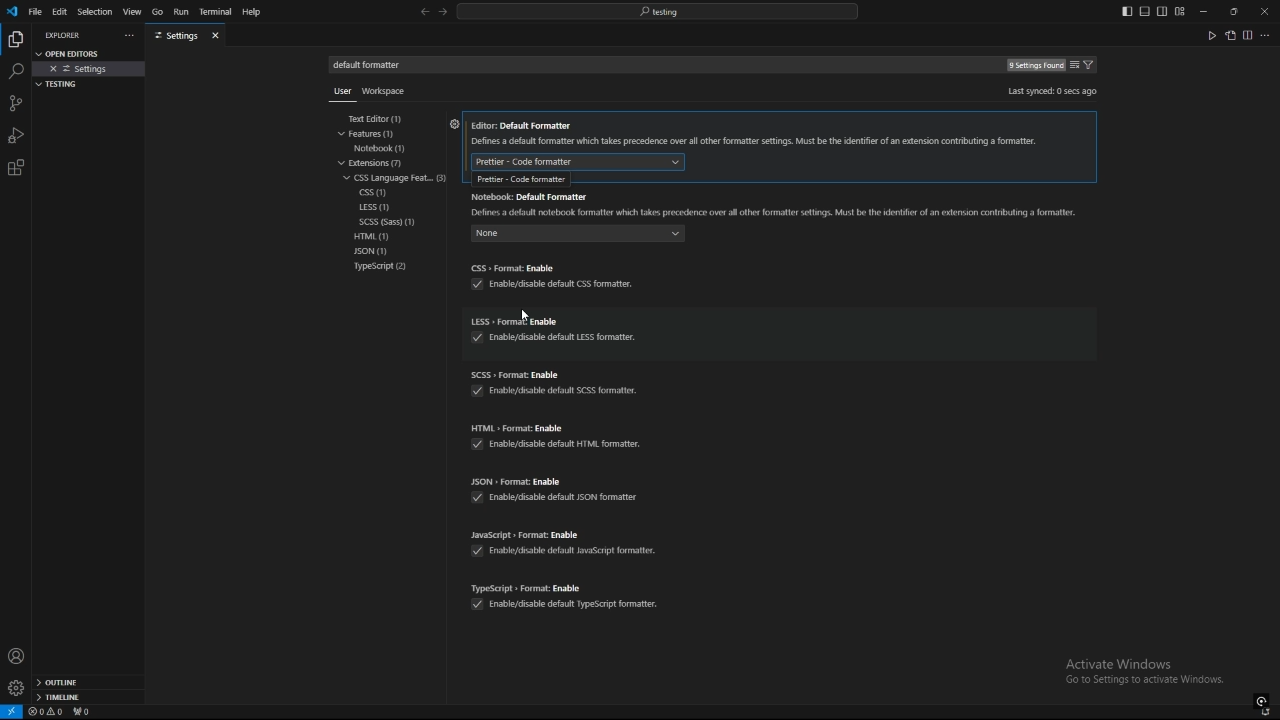 Image resolution: width=1280 pixels, height=720 pixels. What do you see at coordinates (552, 481) in the screenshot?
I see `json format enable` at bounding box center [552, 481].